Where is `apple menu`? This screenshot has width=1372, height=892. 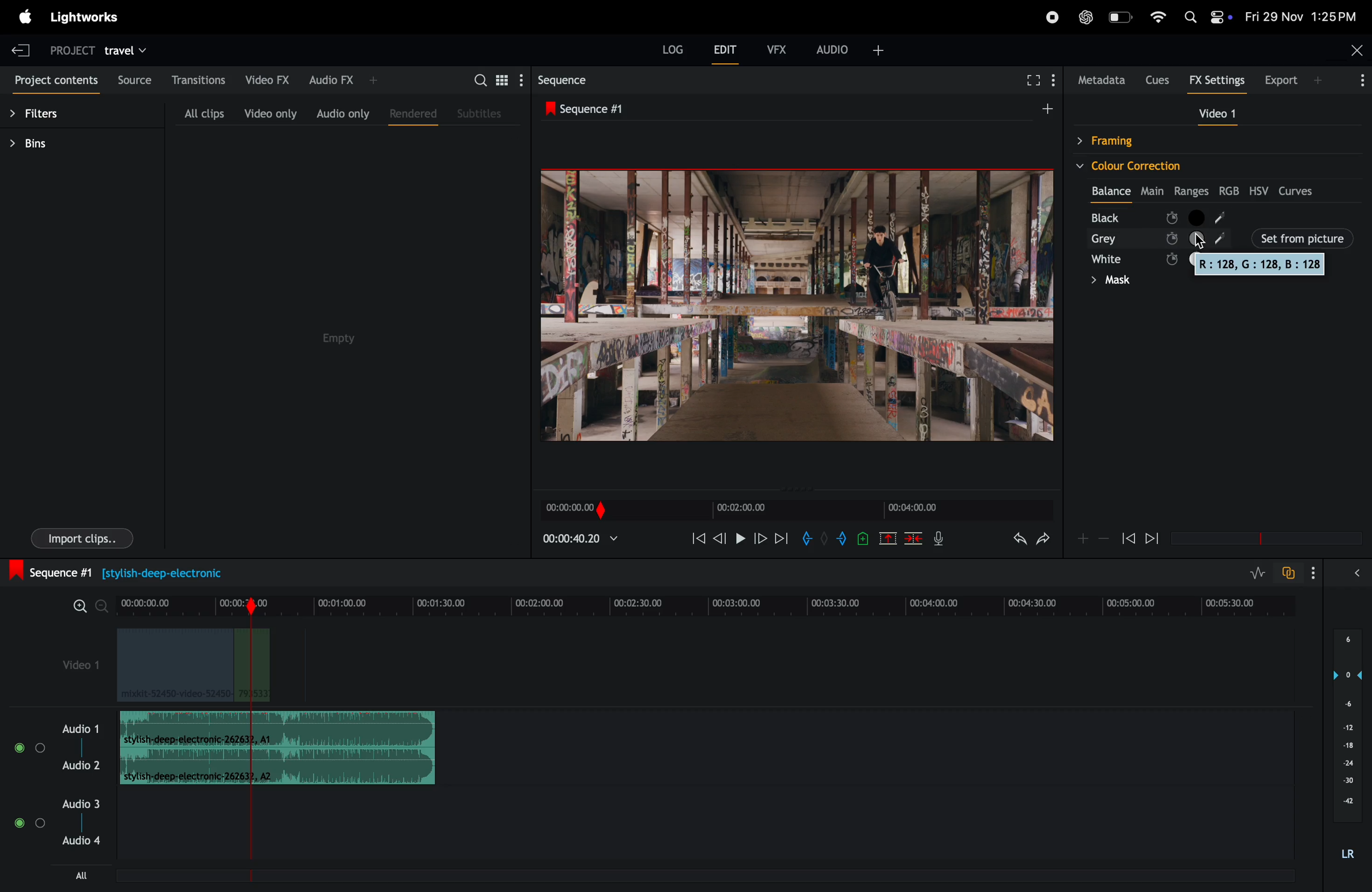
apple menu is located at coordinates (24, 18).